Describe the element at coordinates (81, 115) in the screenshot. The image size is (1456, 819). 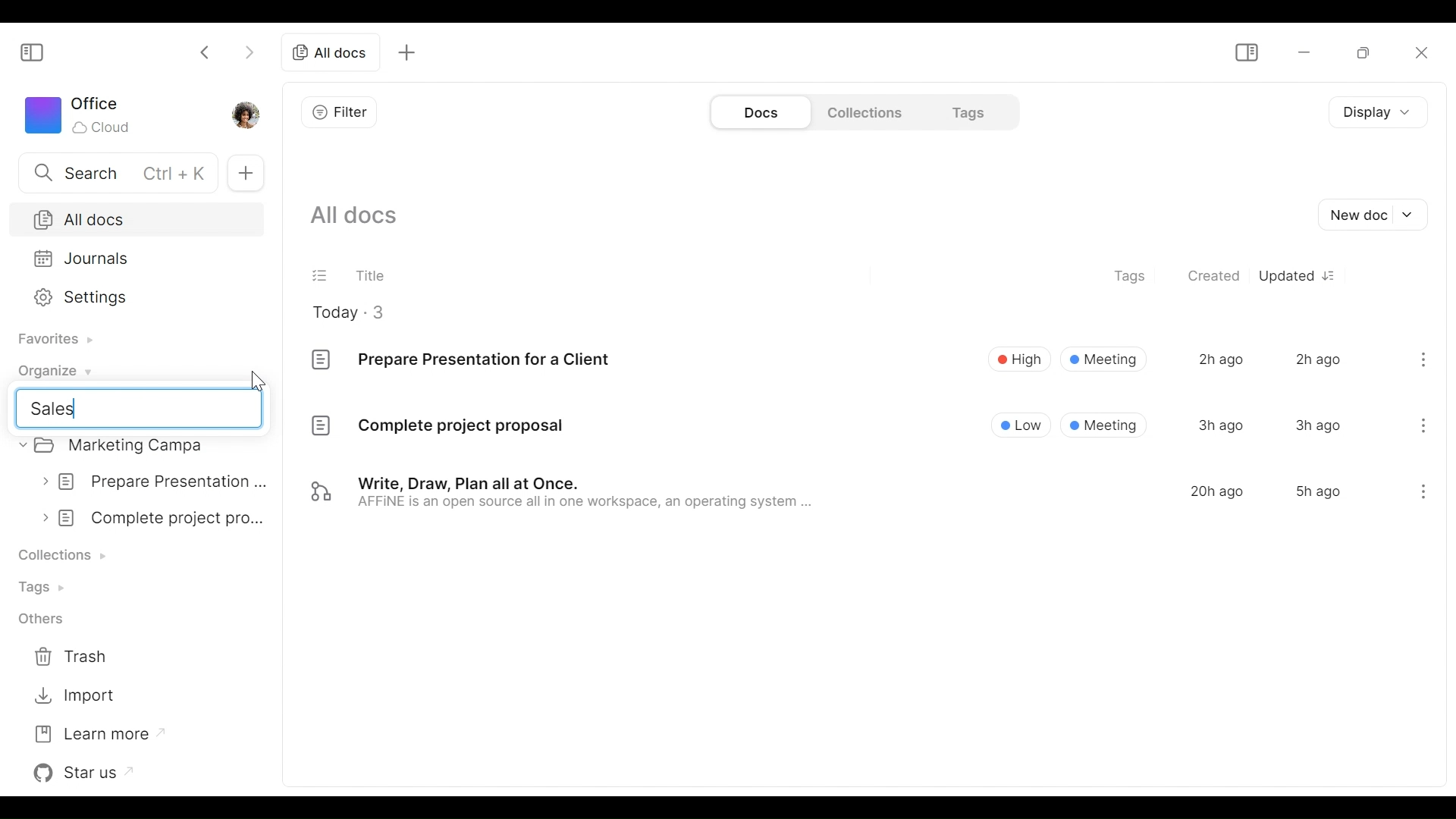
I see `Workspace` at that location.